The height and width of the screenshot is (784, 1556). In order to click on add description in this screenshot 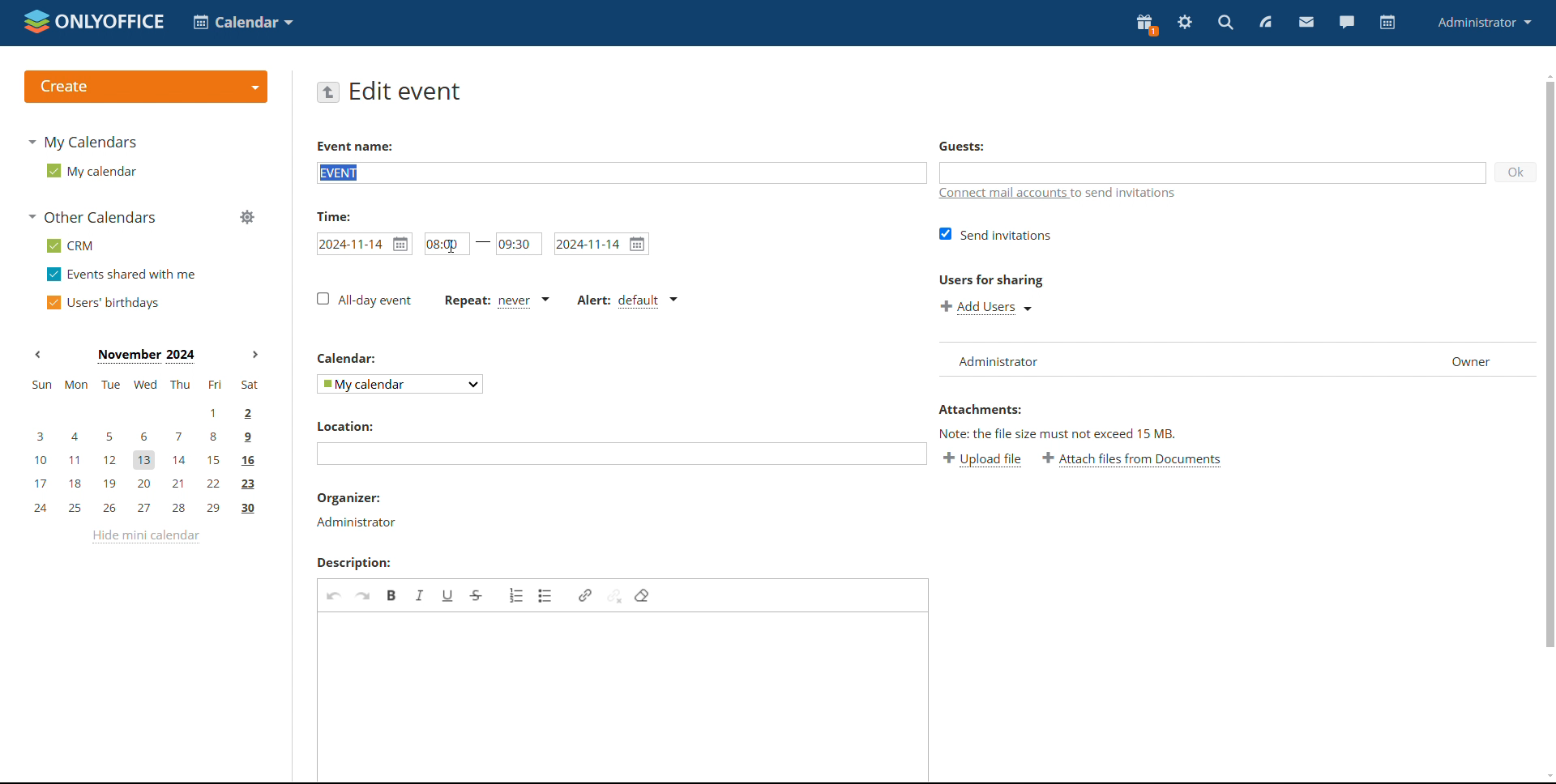, I will do `click(622, 696)`.